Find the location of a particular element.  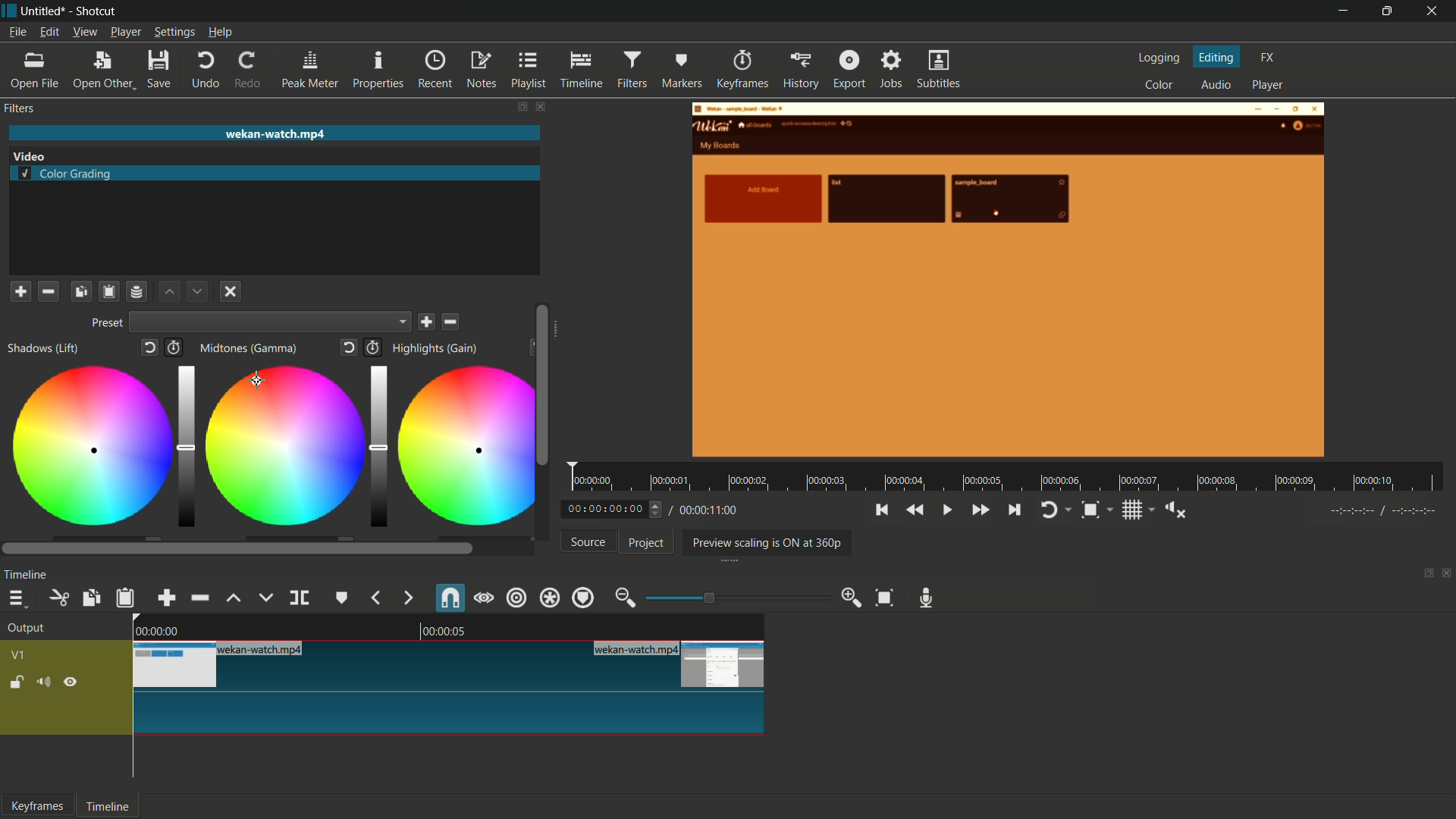

markers is located at coordinates (682, 69).